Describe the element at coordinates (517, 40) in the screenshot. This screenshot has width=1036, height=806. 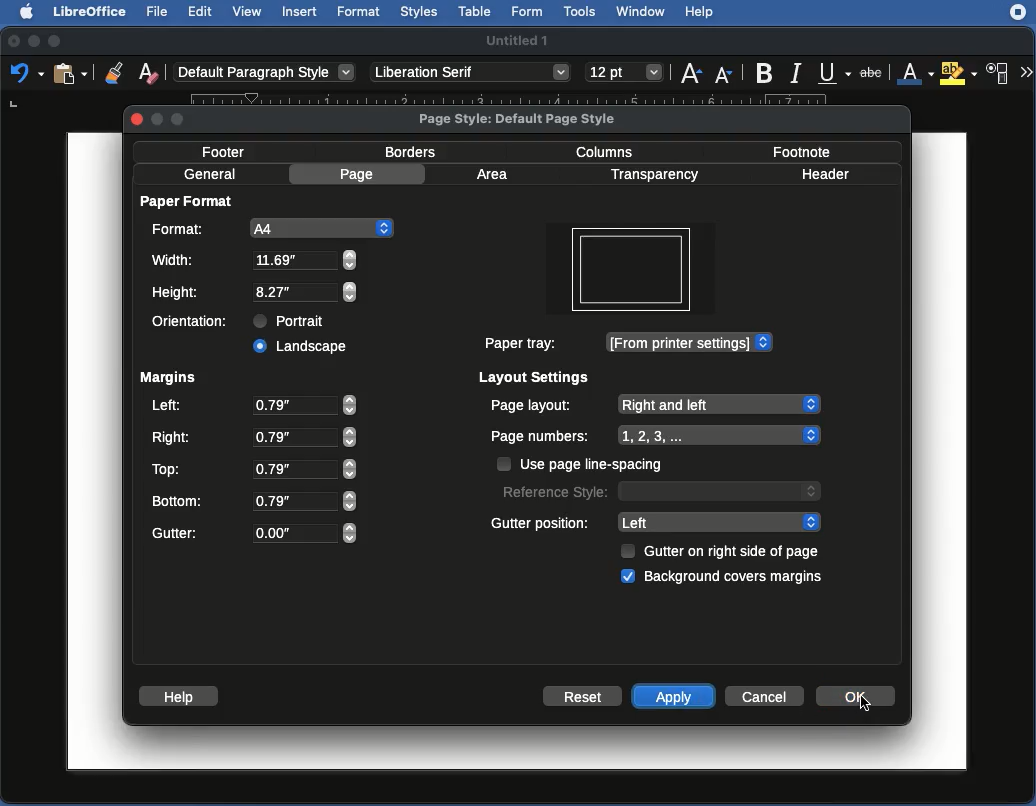
I see `Name` at that location.